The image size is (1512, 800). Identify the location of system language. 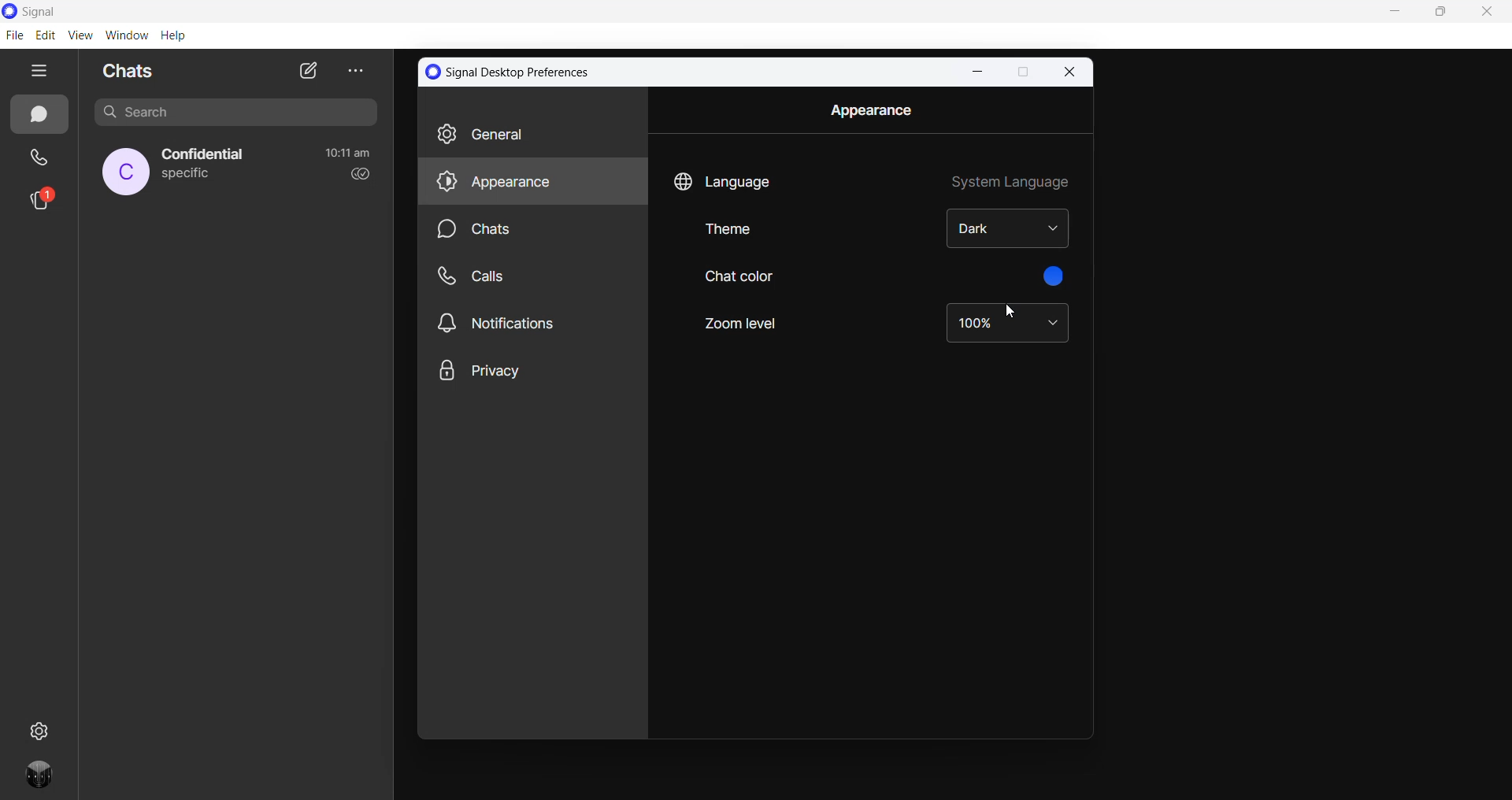
(1010, 179).